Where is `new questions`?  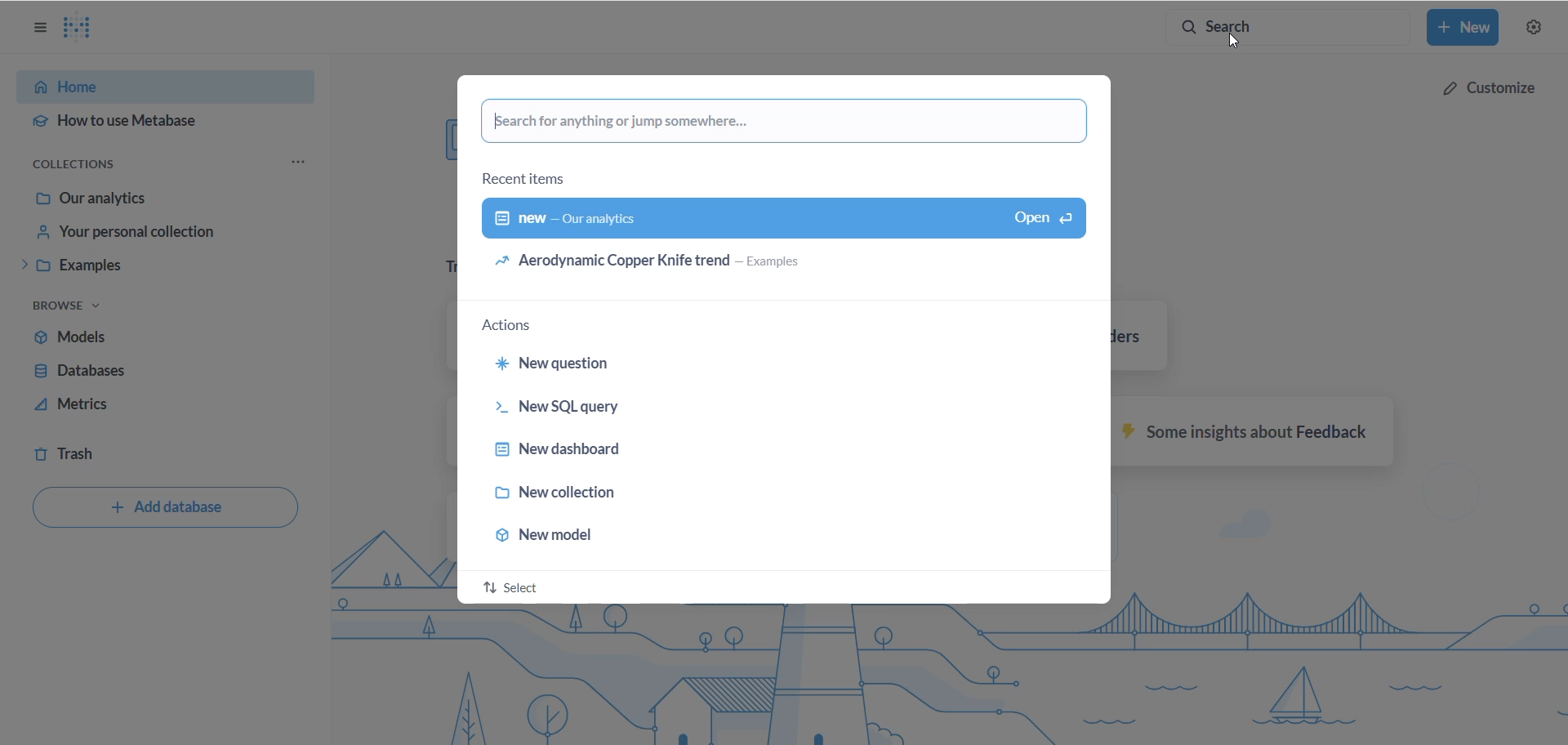 new questions is located at coordinates (754, 365).